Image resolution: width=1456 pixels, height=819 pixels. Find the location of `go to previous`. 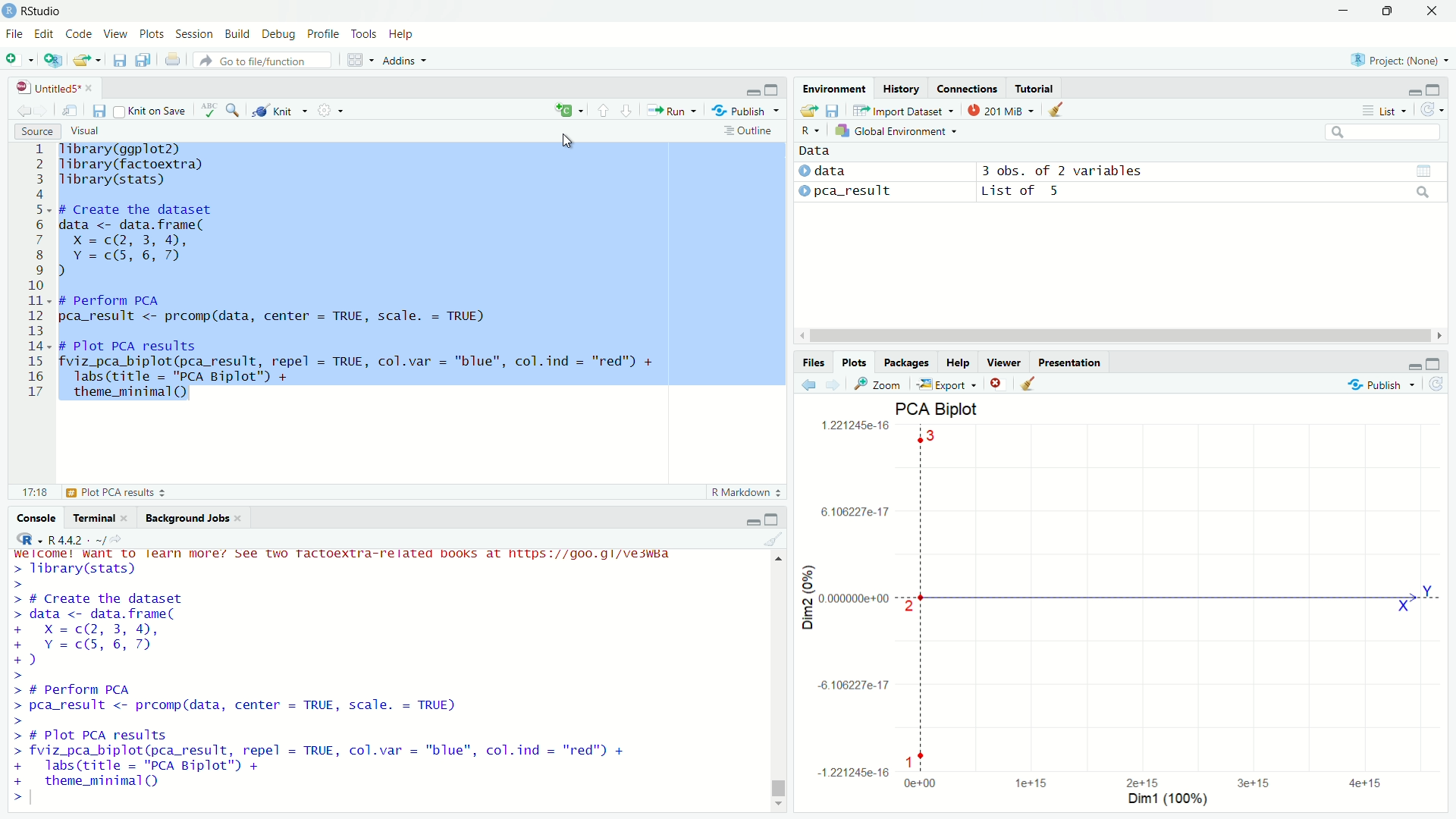

go to previous is located at coordinates (603, 110).